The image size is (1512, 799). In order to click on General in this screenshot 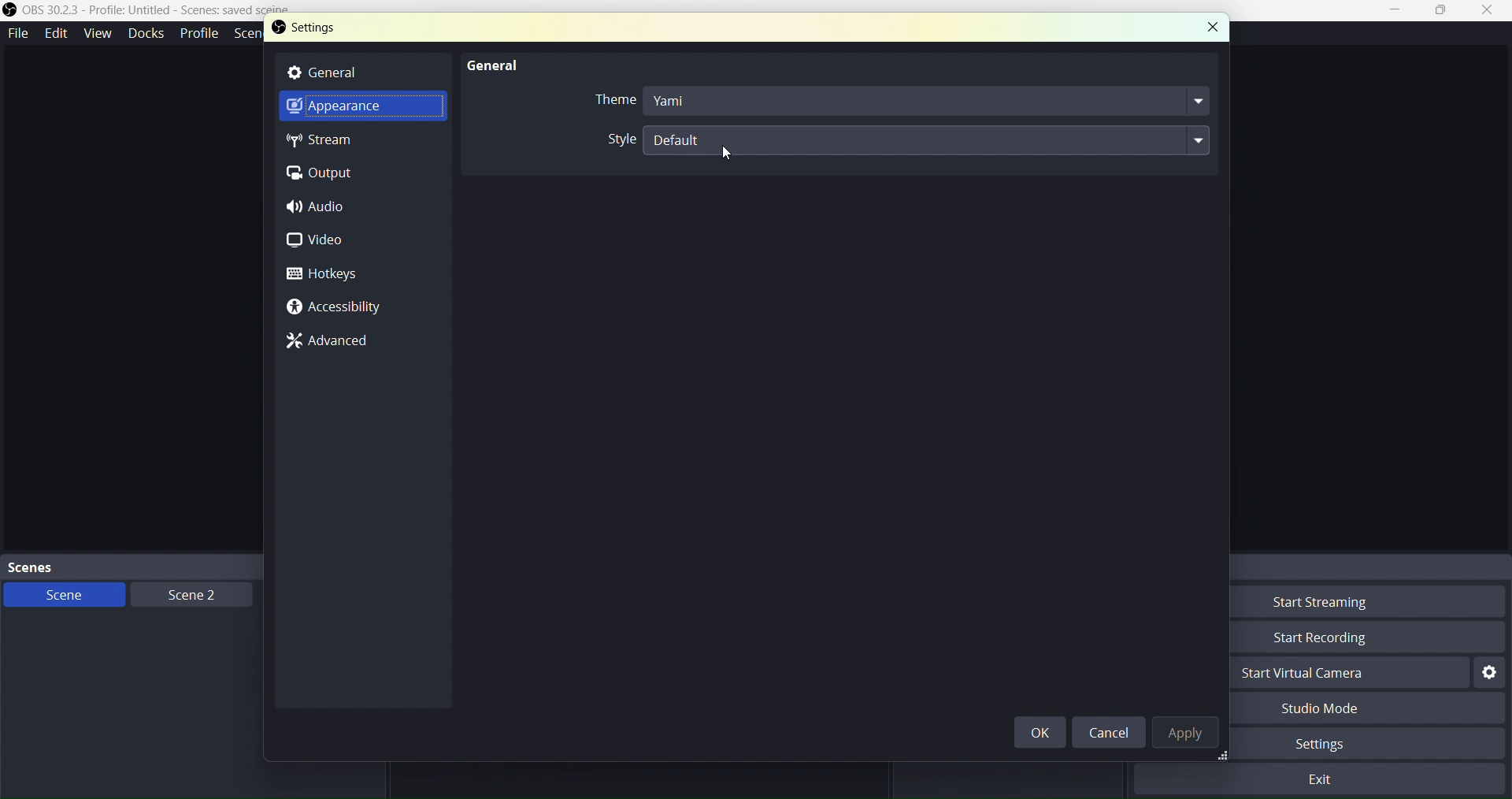, I will do `click(488, 62)`.